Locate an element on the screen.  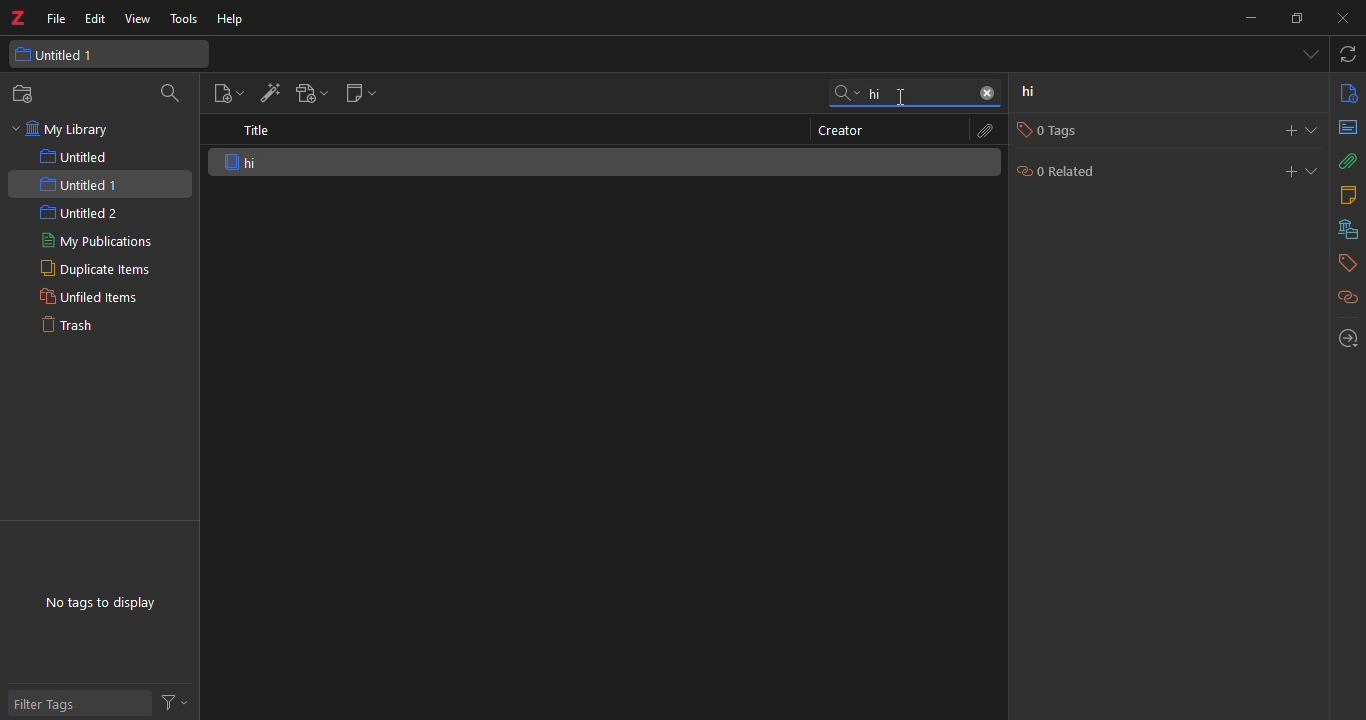
cancel is located at coordinates (988, 92).